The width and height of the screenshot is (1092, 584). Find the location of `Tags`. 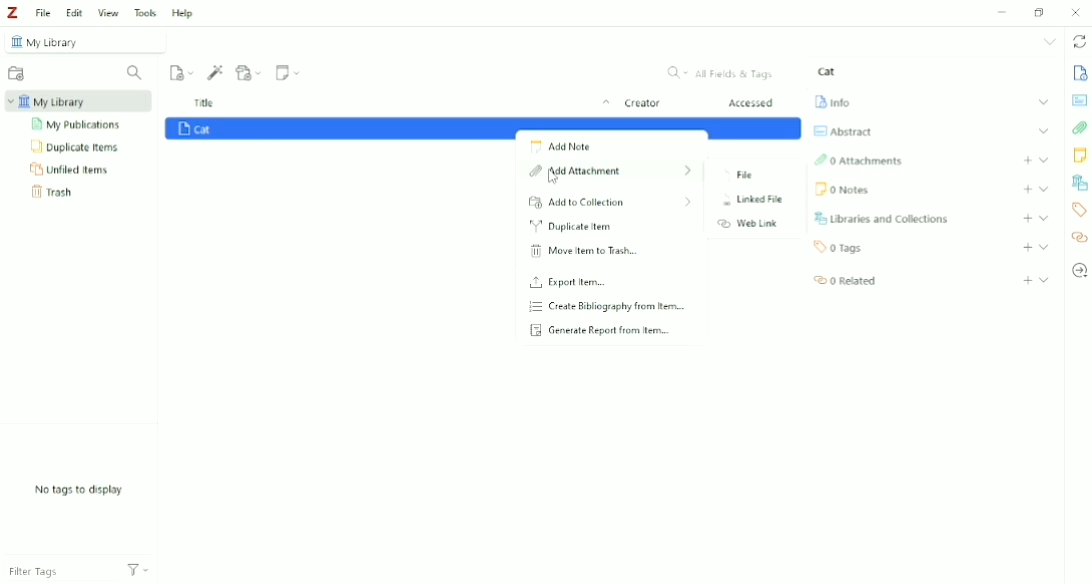

Tags is located at coordinates (1078, 209).